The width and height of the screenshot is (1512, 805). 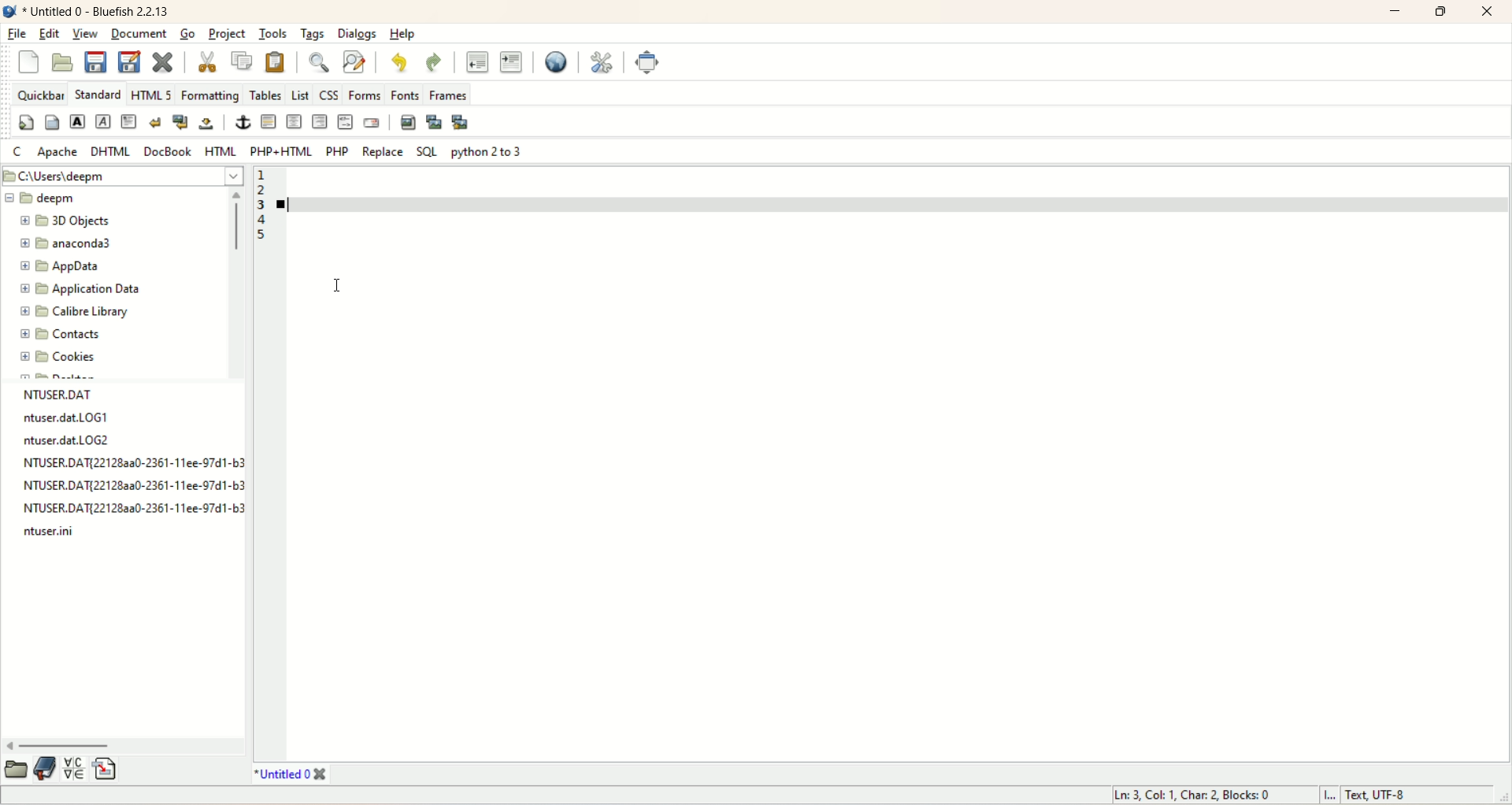 What do you see at coordinates (435, 121) in the screenshot?
I see `insert thumbnail` at bounding box center [435, 121].